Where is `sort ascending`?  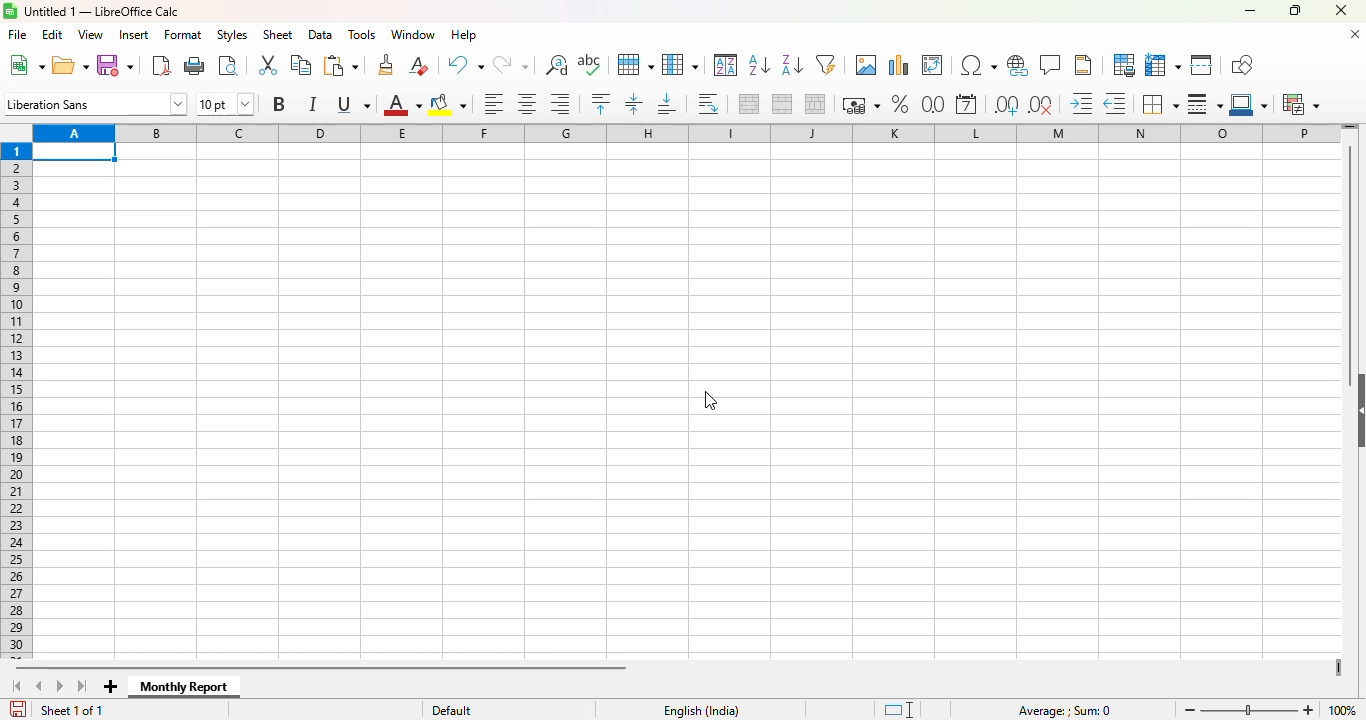 sort ascending is located at coordinates (759, 64).